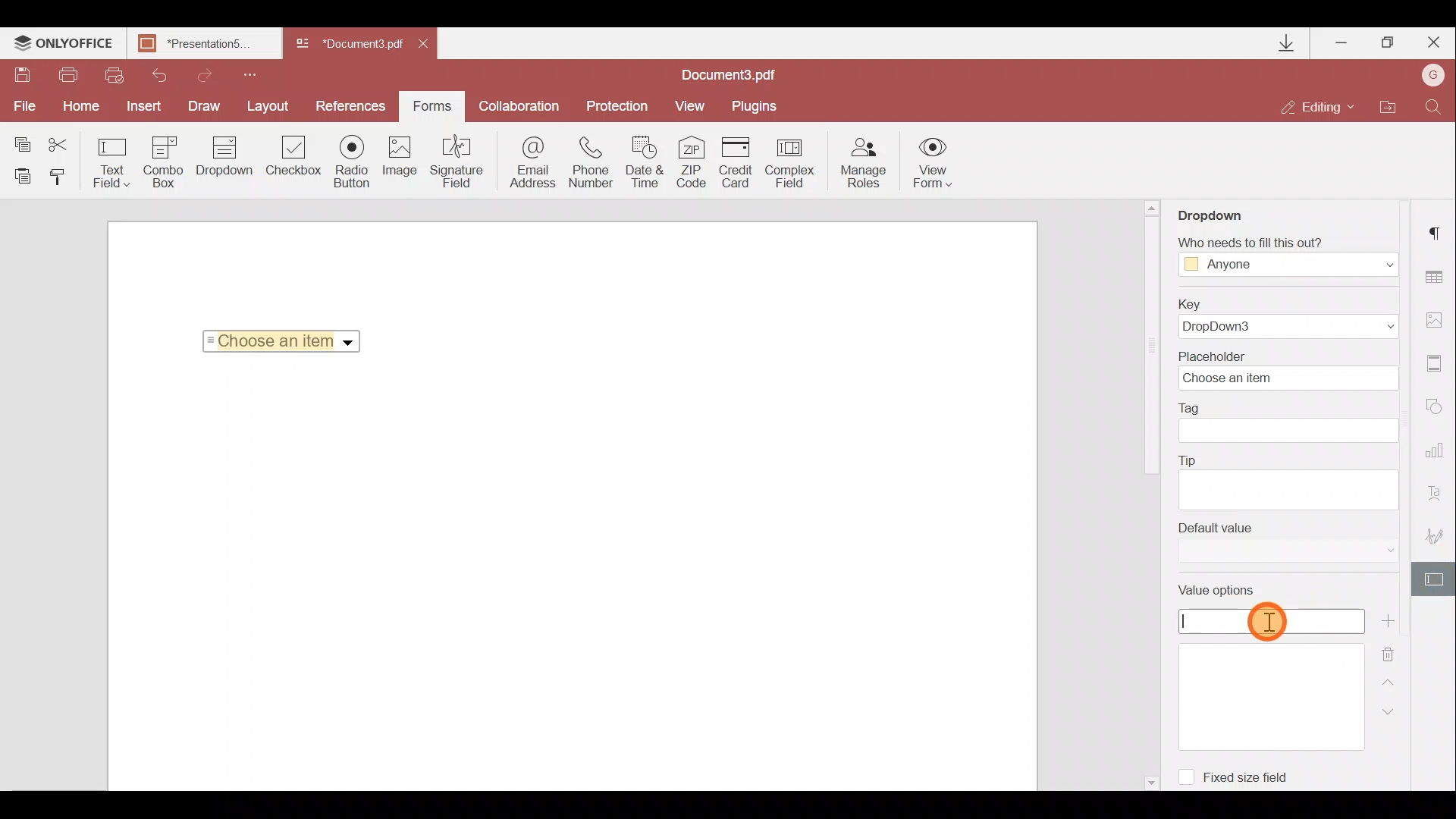 The image size is (1456, 819). Describe the element at coordinates (1433, 531) in the screenshot. I see `Signature settings` at that location.